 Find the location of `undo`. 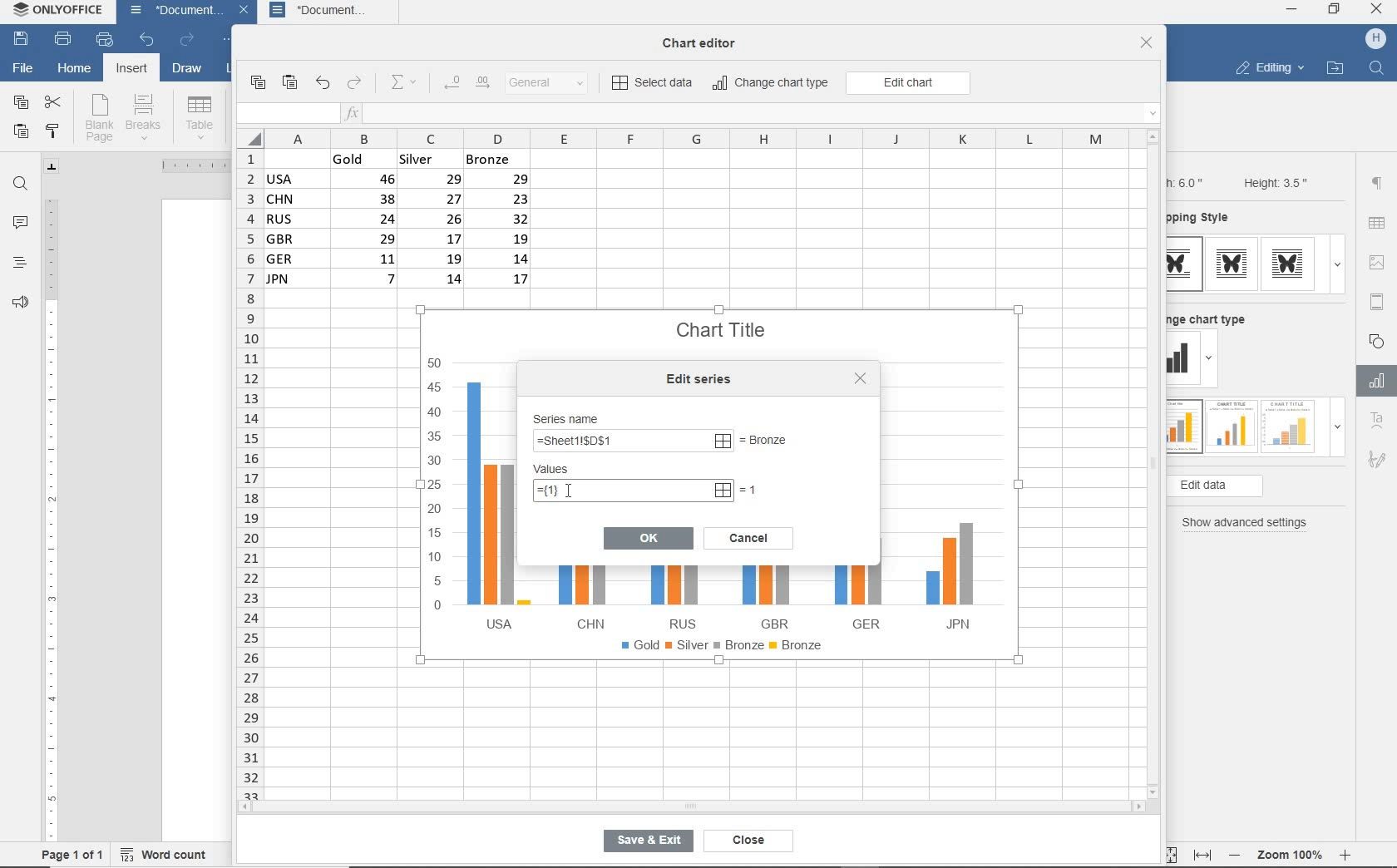

undo is located at coordinates (146, 41).